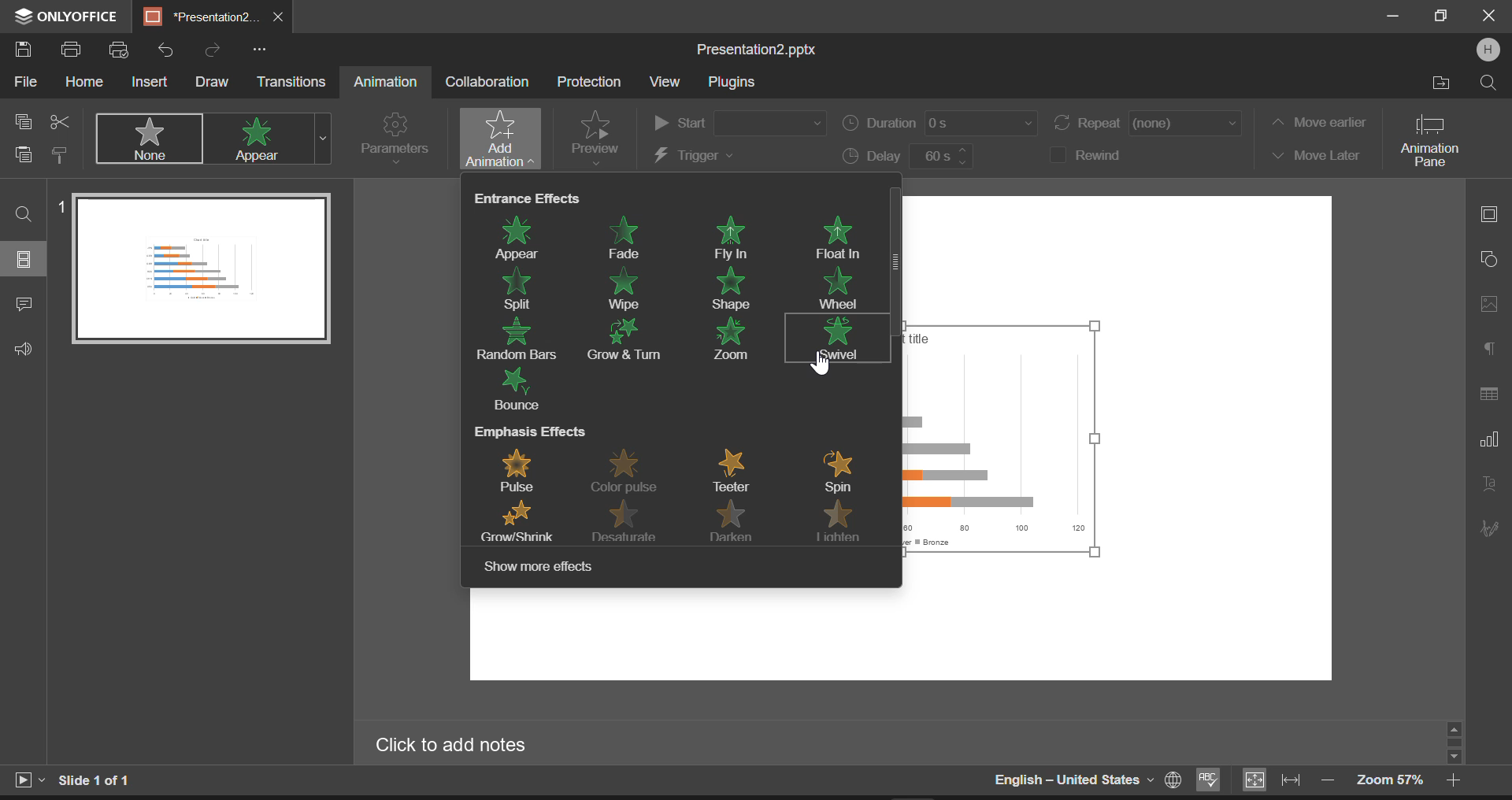 Image resolution: width=1512 pixels, height=800 pixels. Describe the element at coordinates (1395, 17) in the screenshot. I see `Restore Down` at that location.